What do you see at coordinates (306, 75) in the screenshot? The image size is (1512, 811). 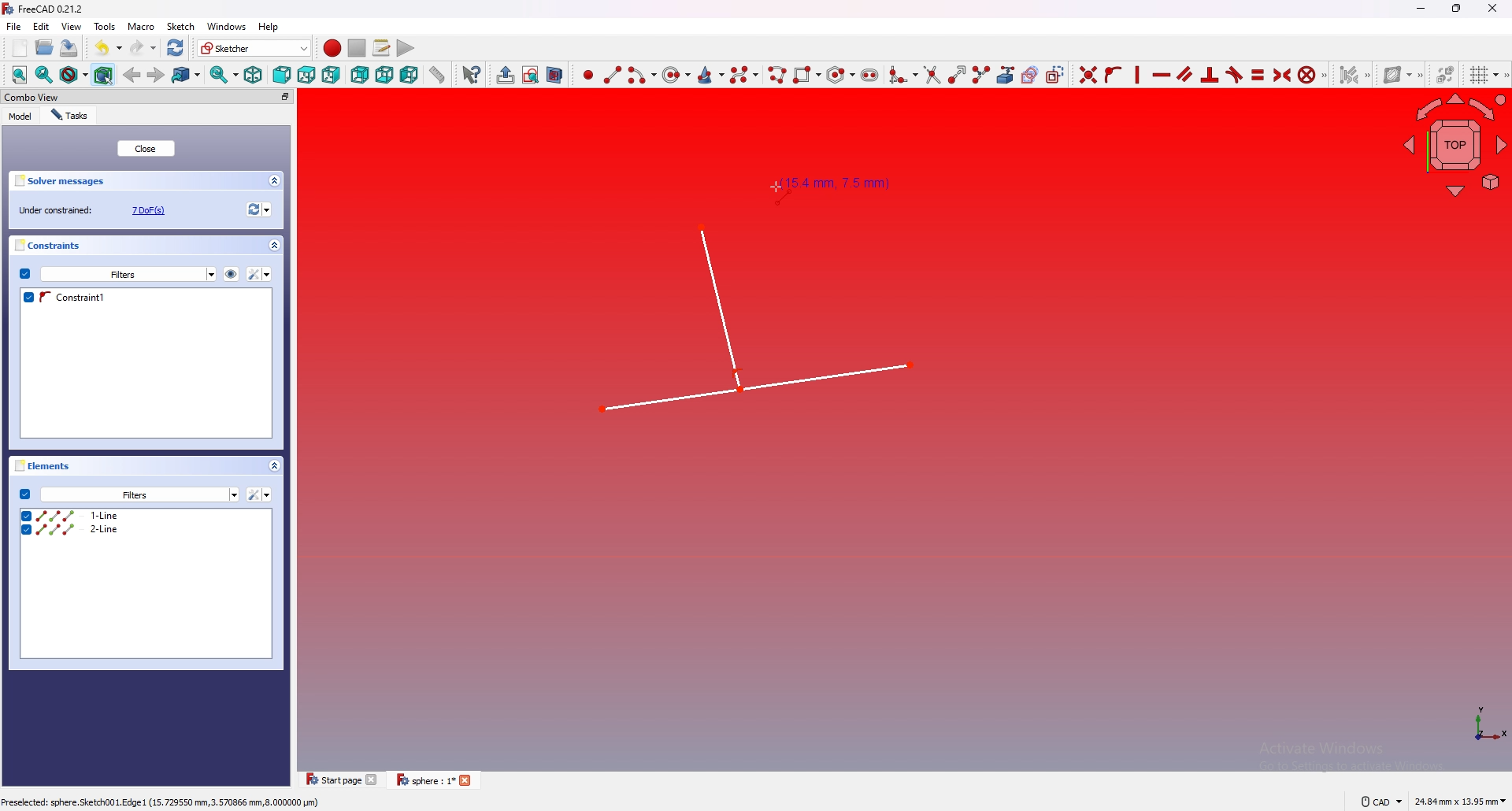 I see `Top` at bounding box center [306, 75].